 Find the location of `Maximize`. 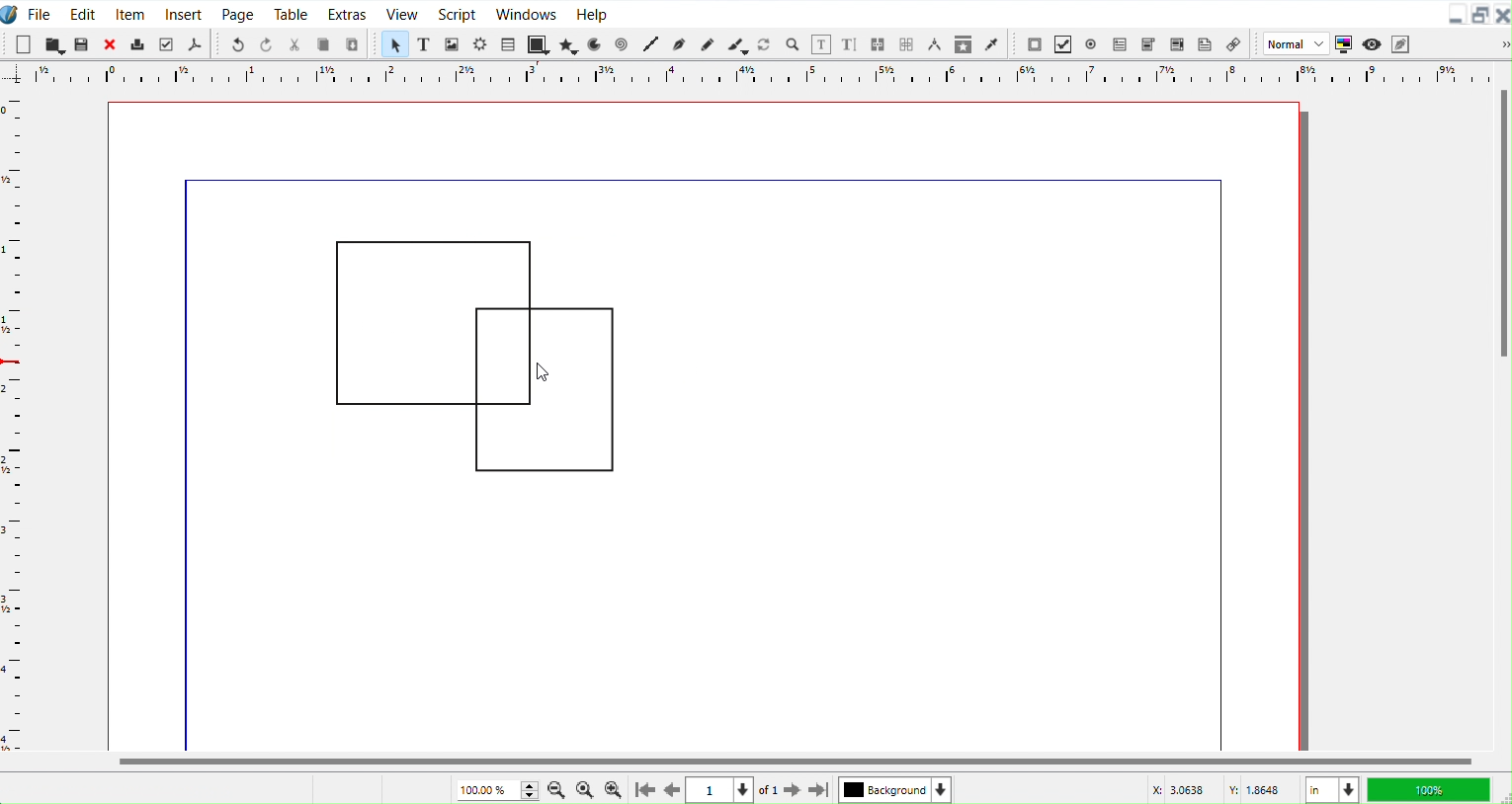

Maximize is located at coordinates (1481, 15).